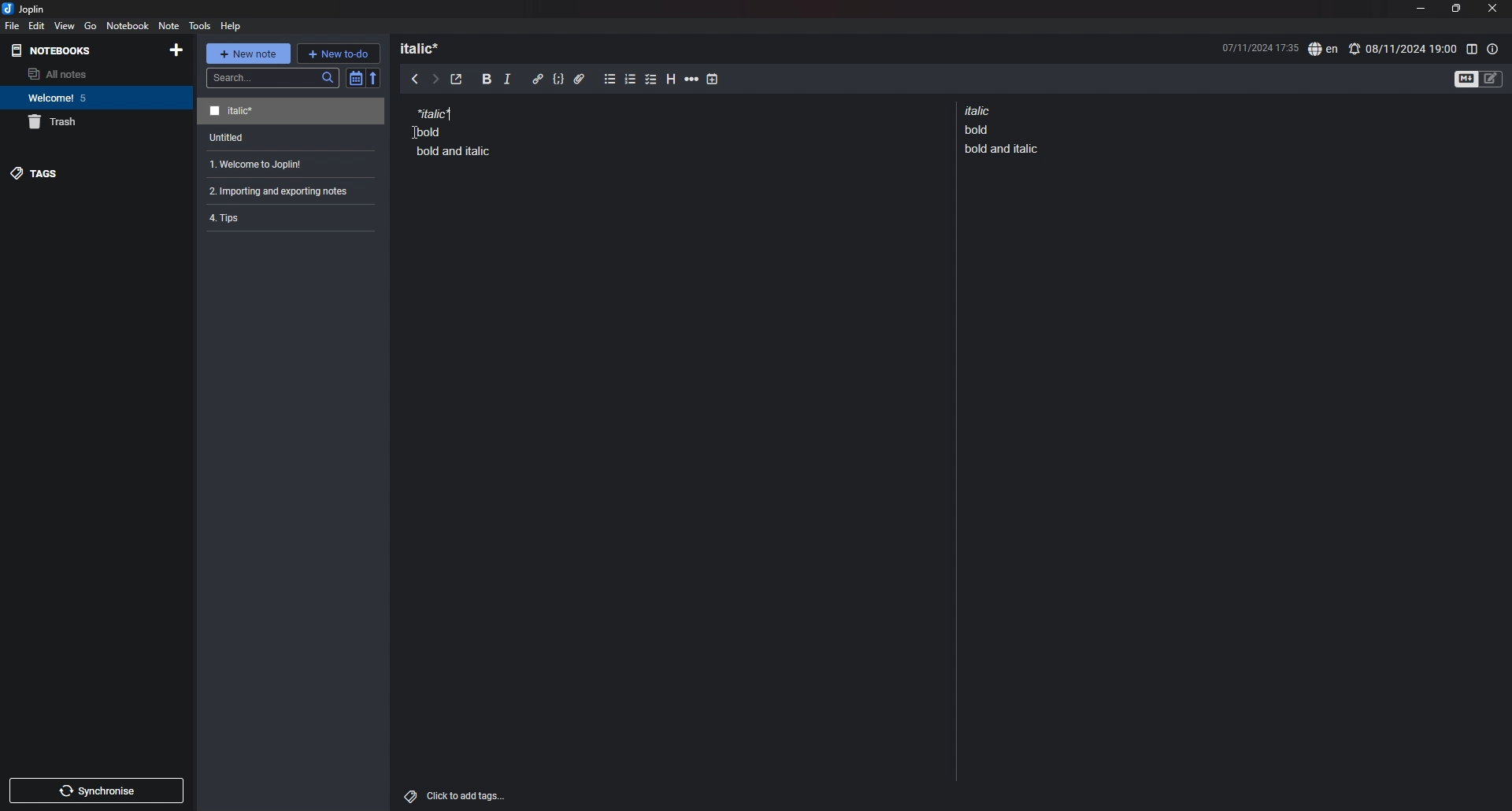 The height and width of the screenshot is (811, 1512). I want to click on date and time, so click(1259, 46).